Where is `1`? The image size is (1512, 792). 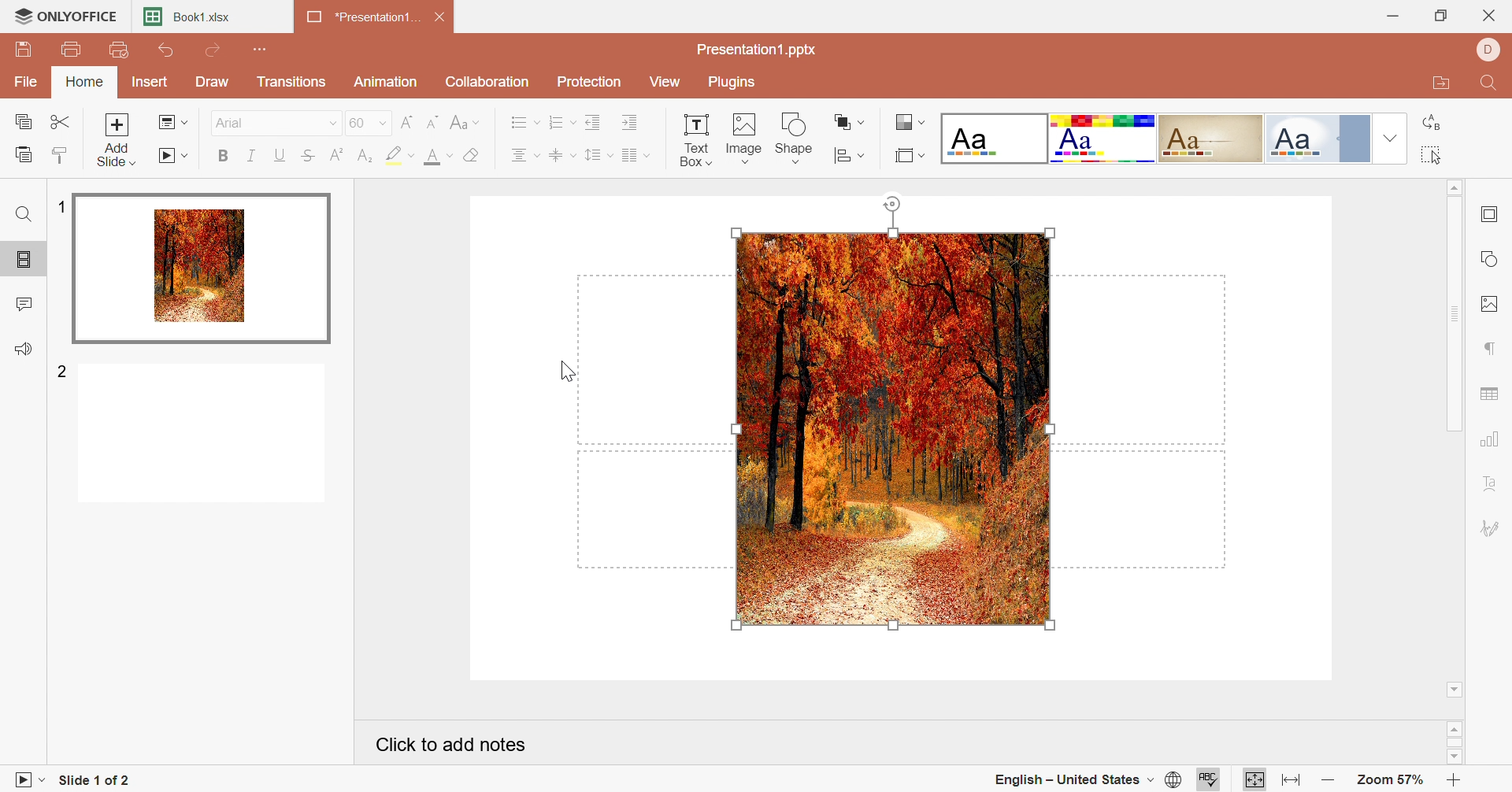
1 is located at coordinates (61, 206).